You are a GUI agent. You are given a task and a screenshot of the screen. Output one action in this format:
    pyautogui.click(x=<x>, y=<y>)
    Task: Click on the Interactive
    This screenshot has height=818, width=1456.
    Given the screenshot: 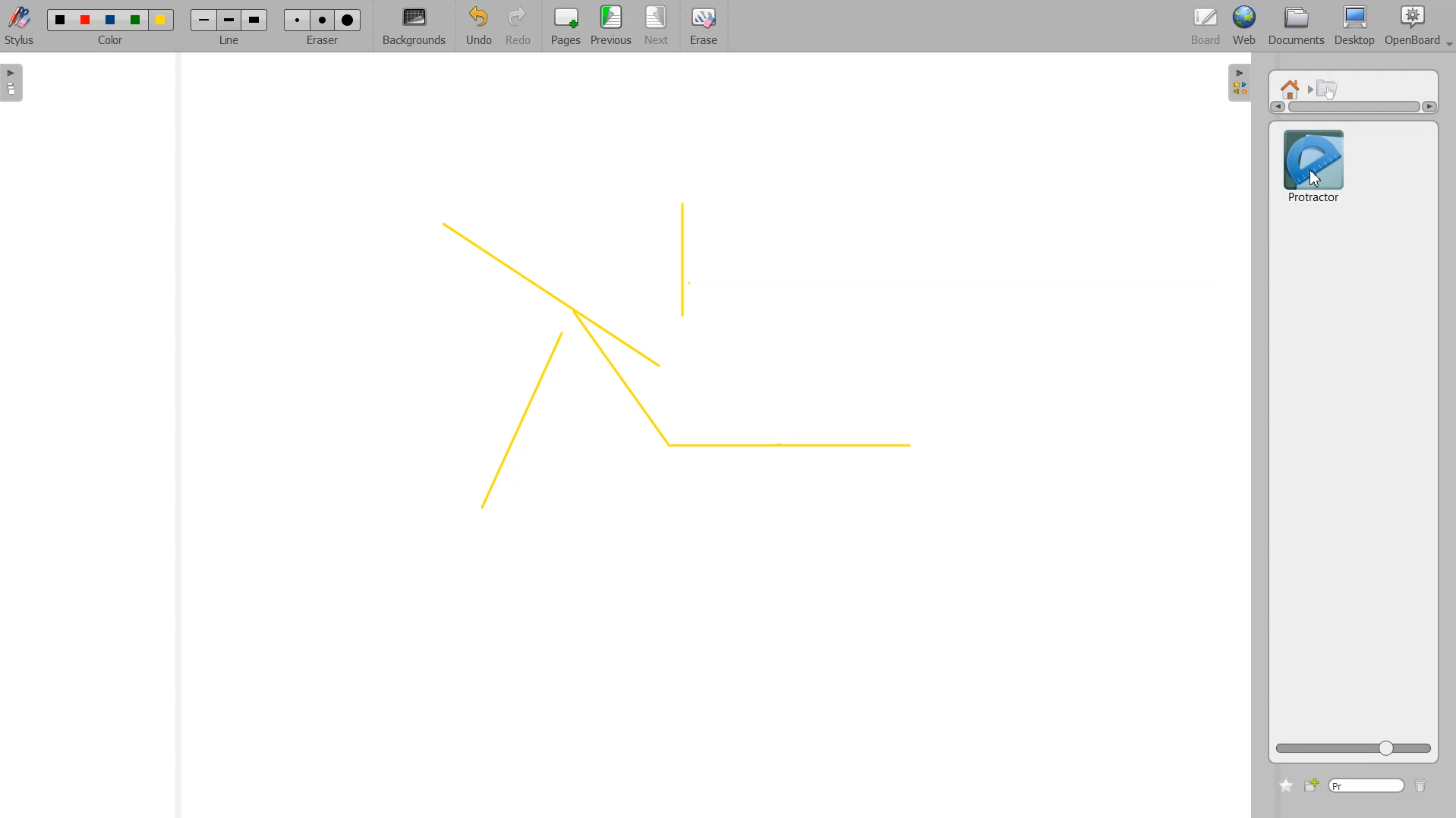 What is the action you would take?
    pyautogui.click(x=1328, y=88)
    